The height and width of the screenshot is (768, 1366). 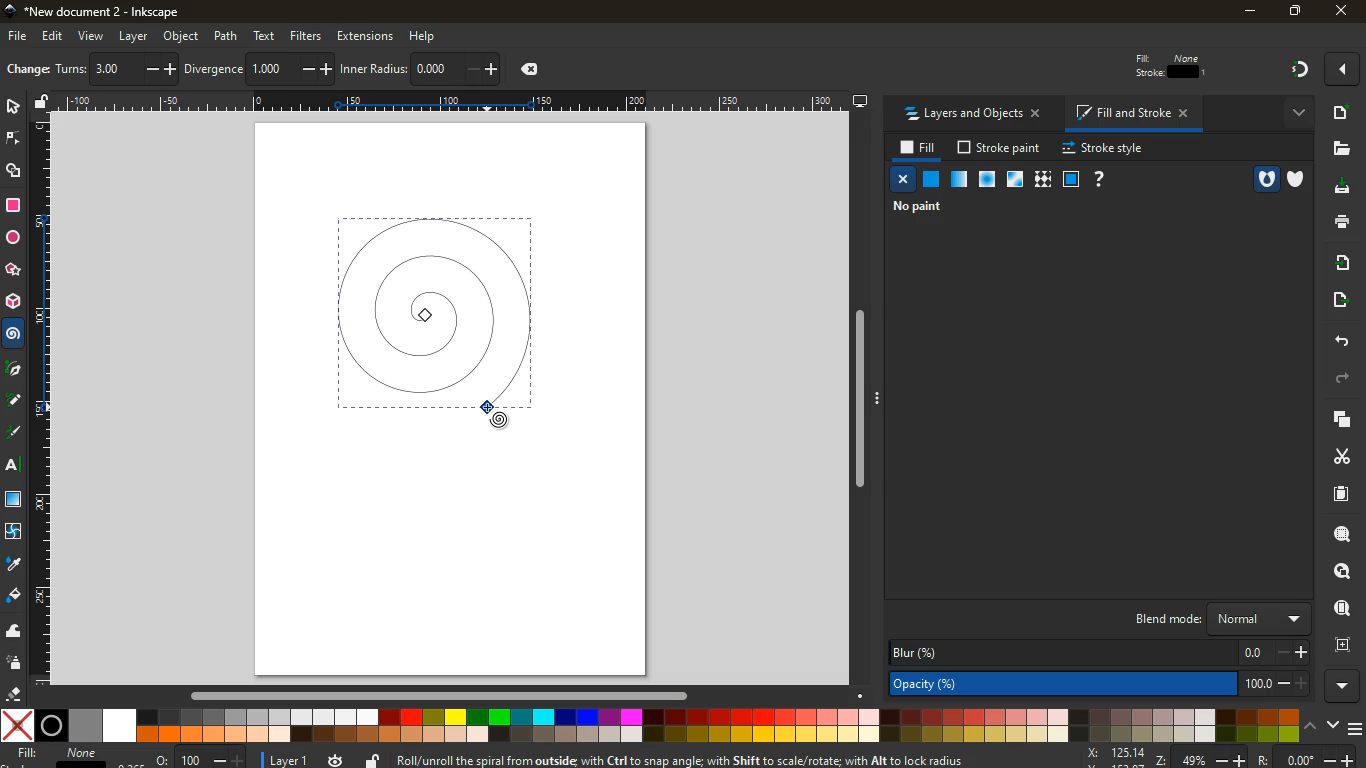 I want to click on inner radius, so click(x=421, y=68).